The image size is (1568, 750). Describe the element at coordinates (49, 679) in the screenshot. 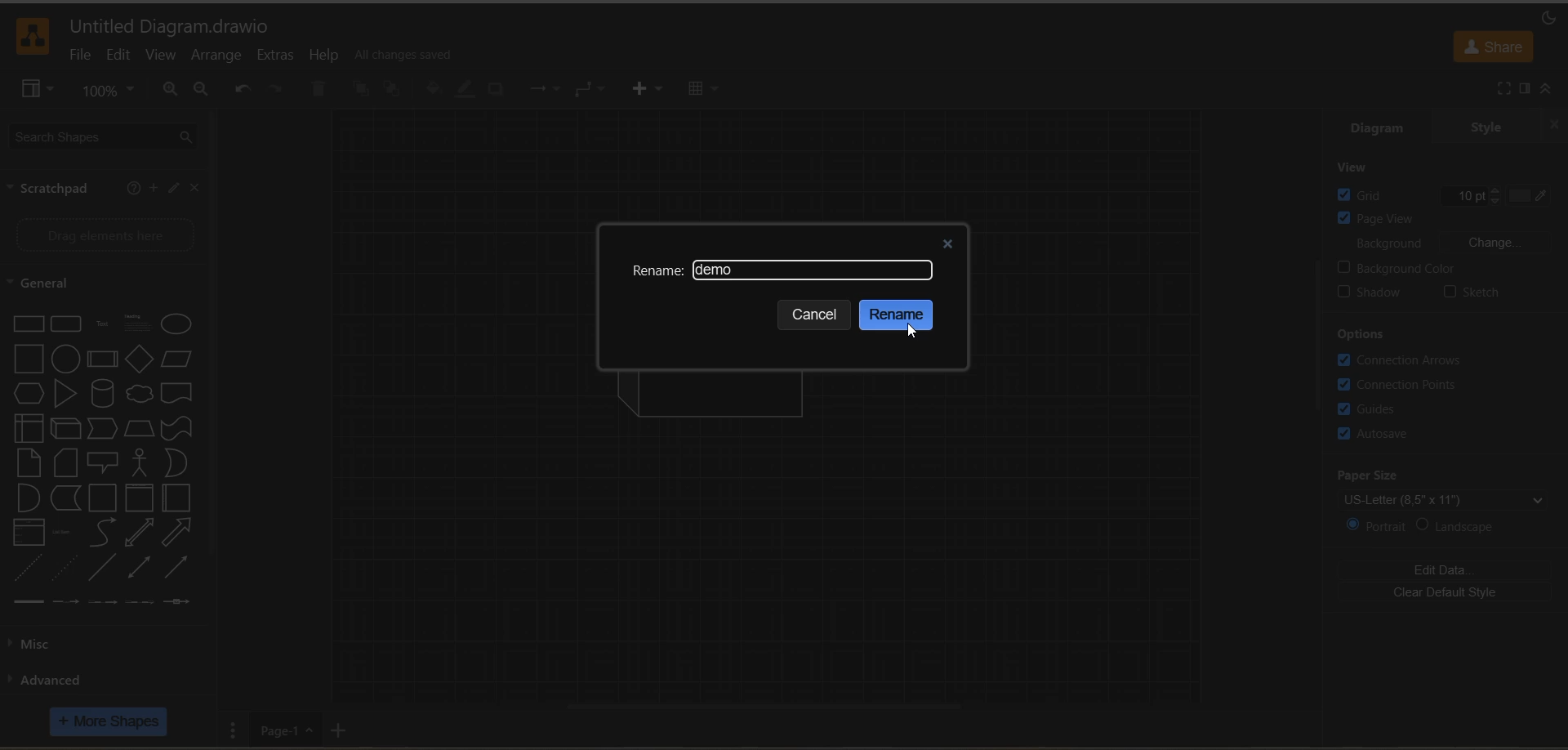

I see `advanced` at that location.